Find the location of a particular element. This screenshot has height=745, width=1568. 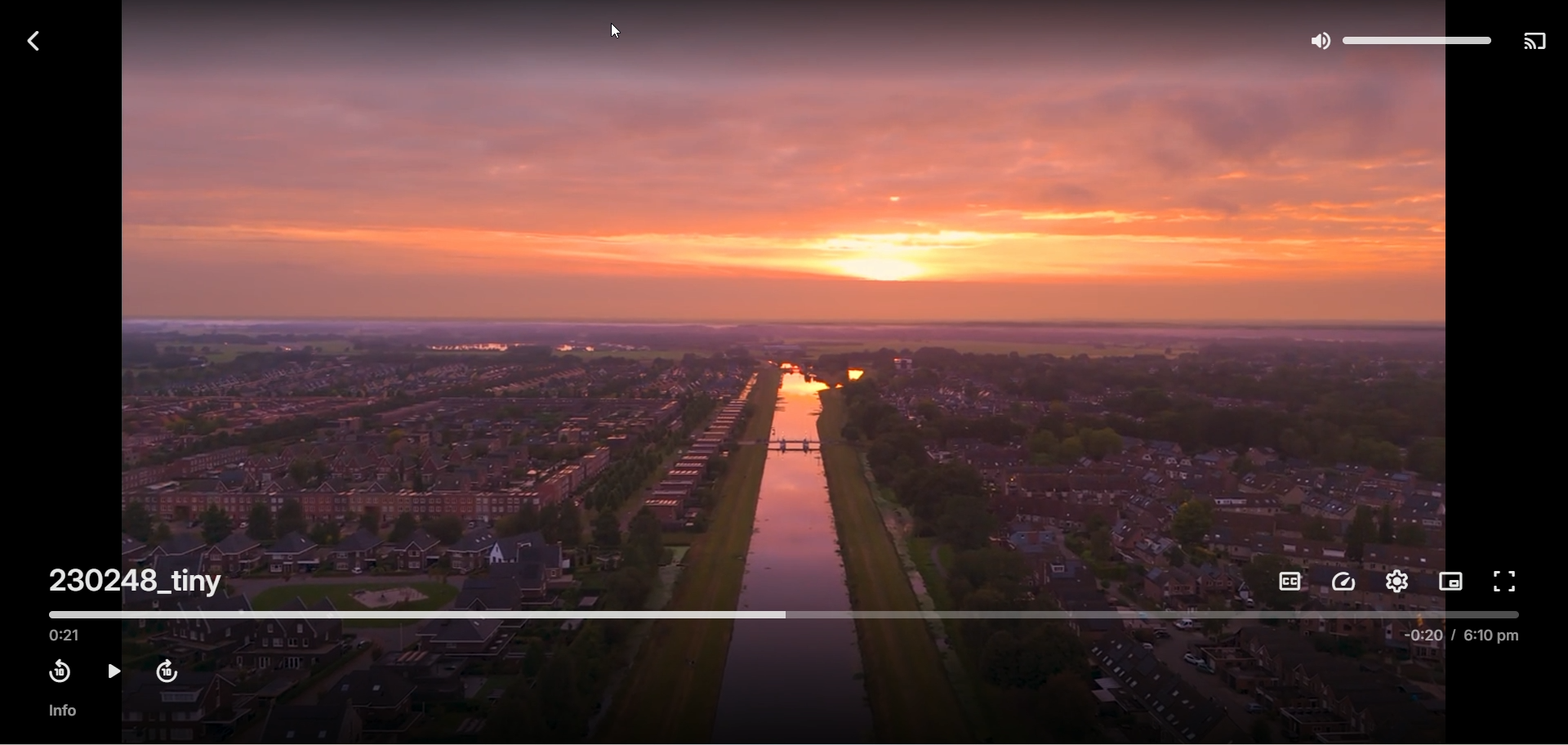

played time 0:21 is located at coordinates (72, 636).